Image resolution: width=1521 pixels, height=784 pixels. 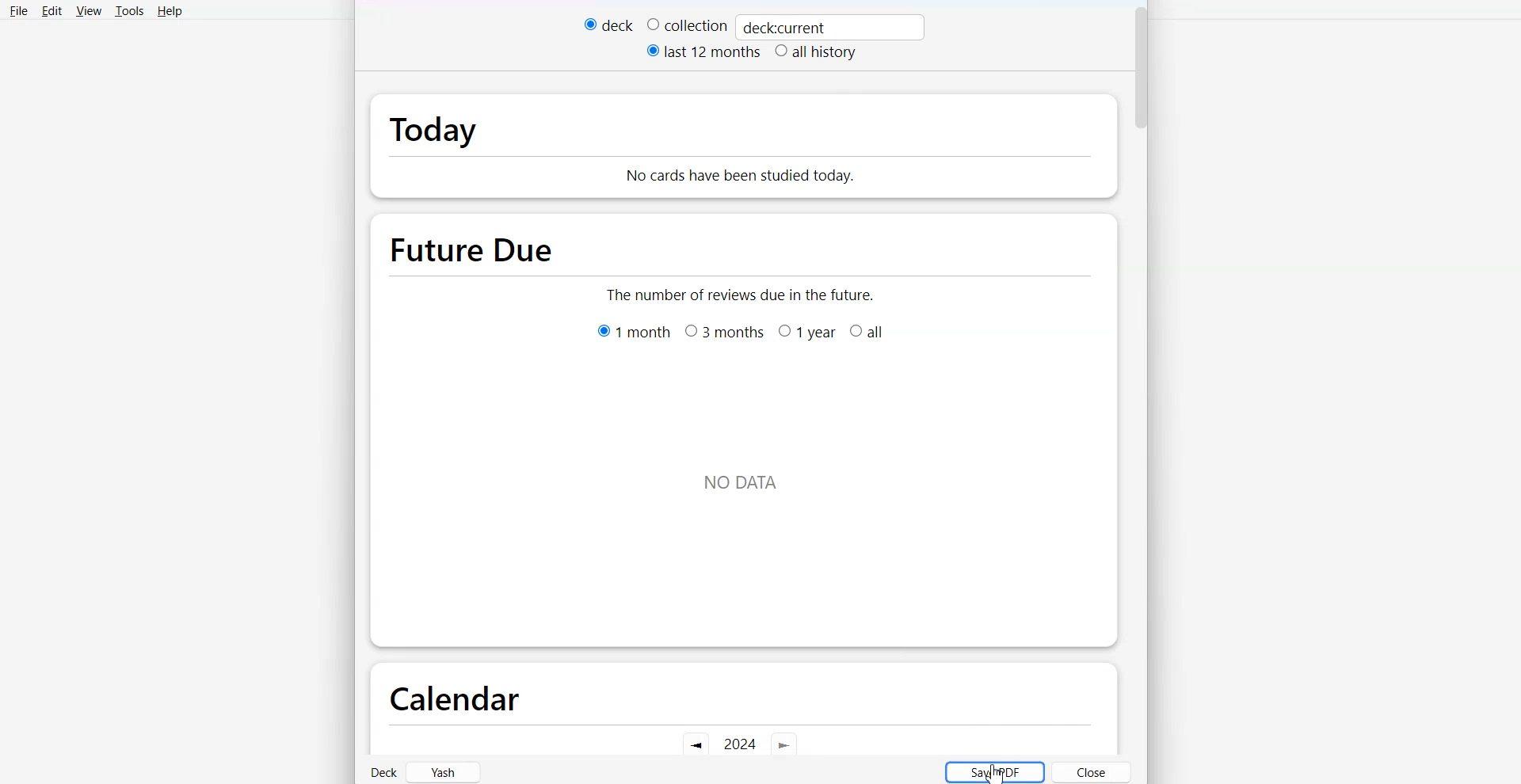 I want to click on All History, so click(x=815, y=53).